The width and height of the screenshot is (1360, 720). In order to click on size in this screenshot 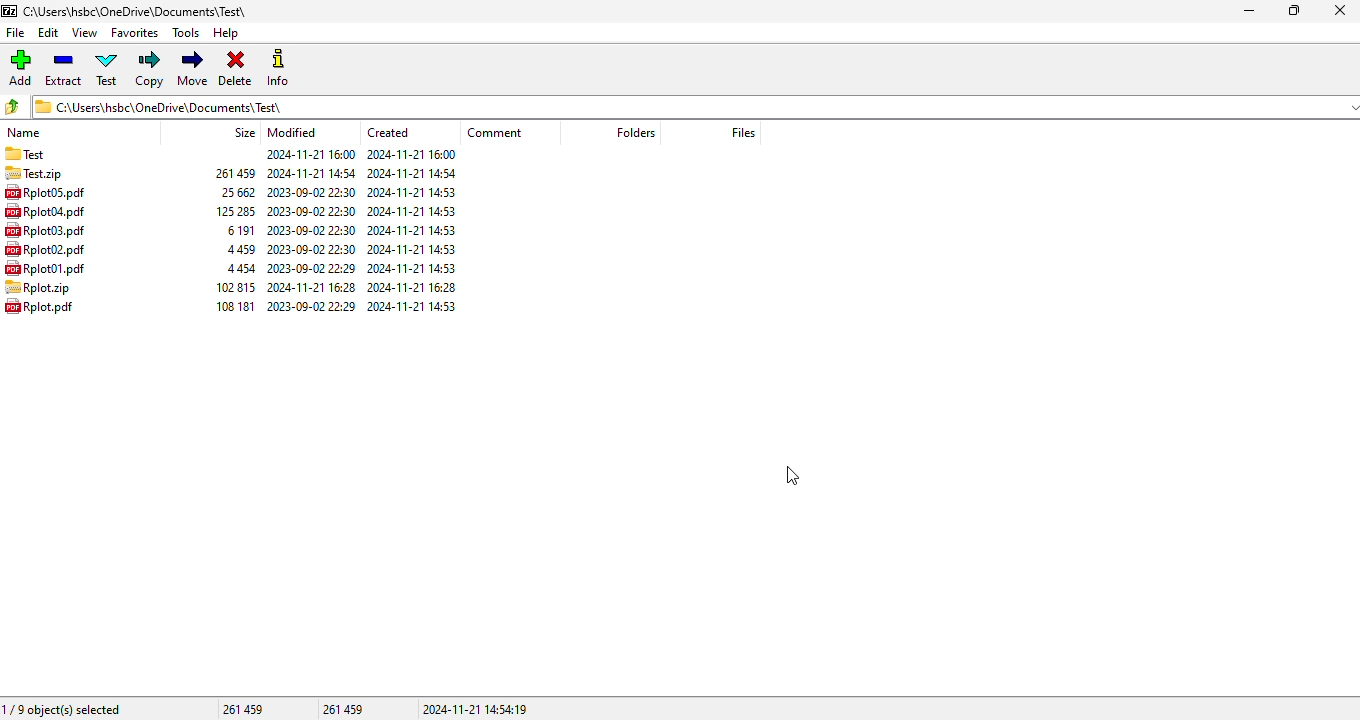, I will do `click(238, 230)`.